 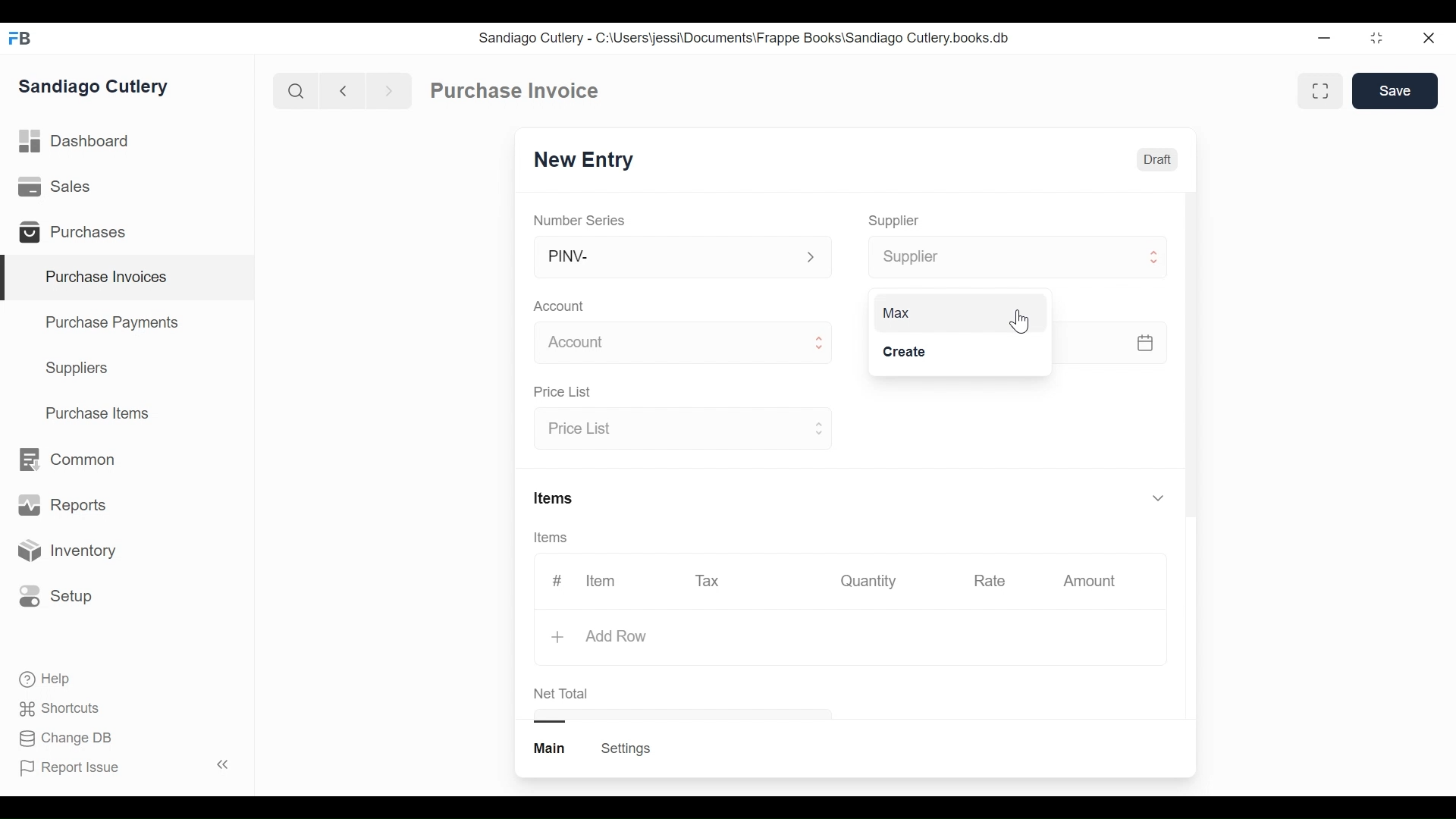 I want to click on Common, so click(x=65, y=460).